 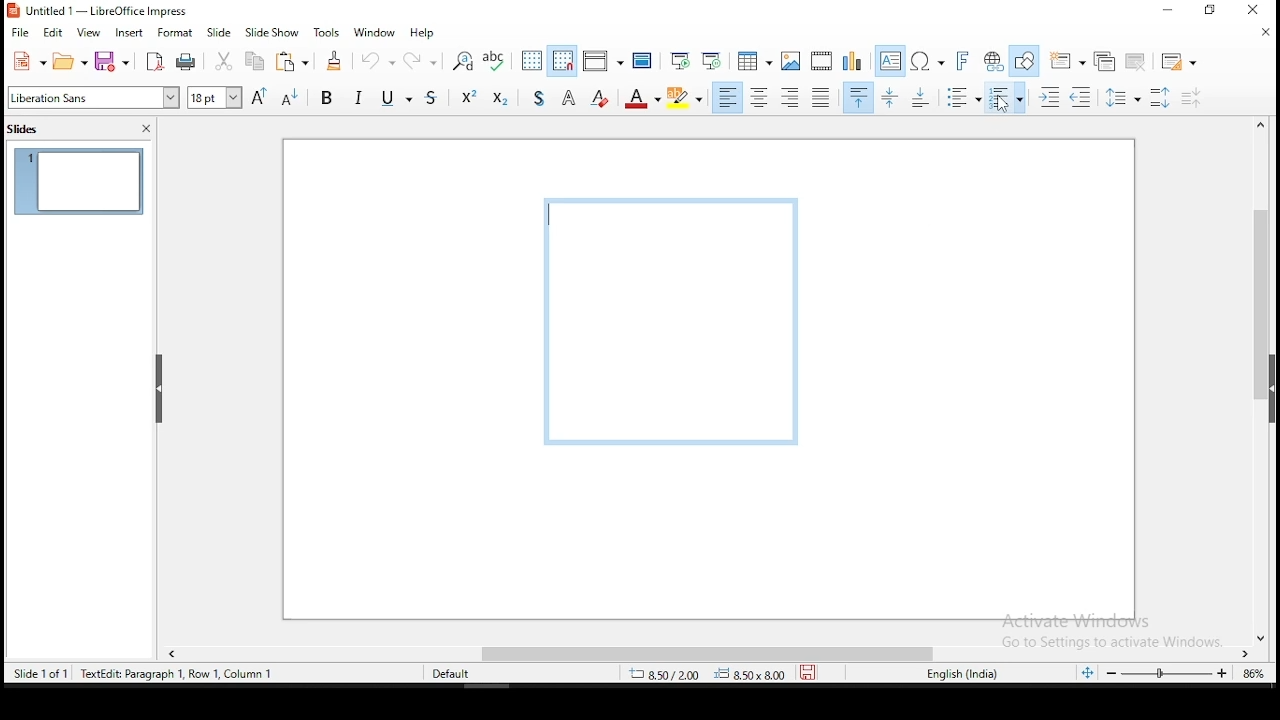 I want to click on increase indent, so click(x=1046, y=97).